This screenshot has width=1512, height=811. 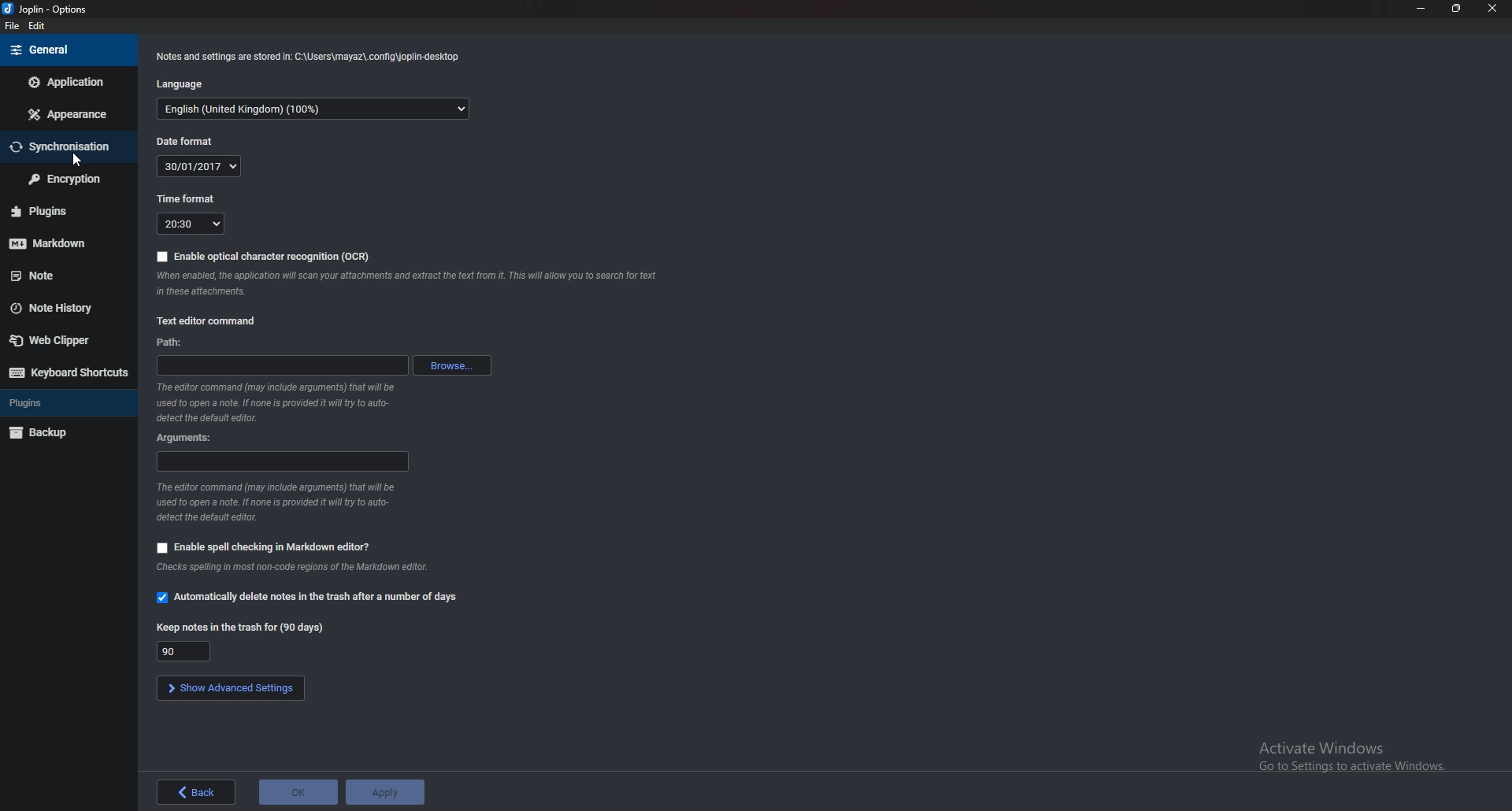 What do you see at coordinates (298, 789) in the screenshot?
I see `ok` at bounding box center [298, 789].